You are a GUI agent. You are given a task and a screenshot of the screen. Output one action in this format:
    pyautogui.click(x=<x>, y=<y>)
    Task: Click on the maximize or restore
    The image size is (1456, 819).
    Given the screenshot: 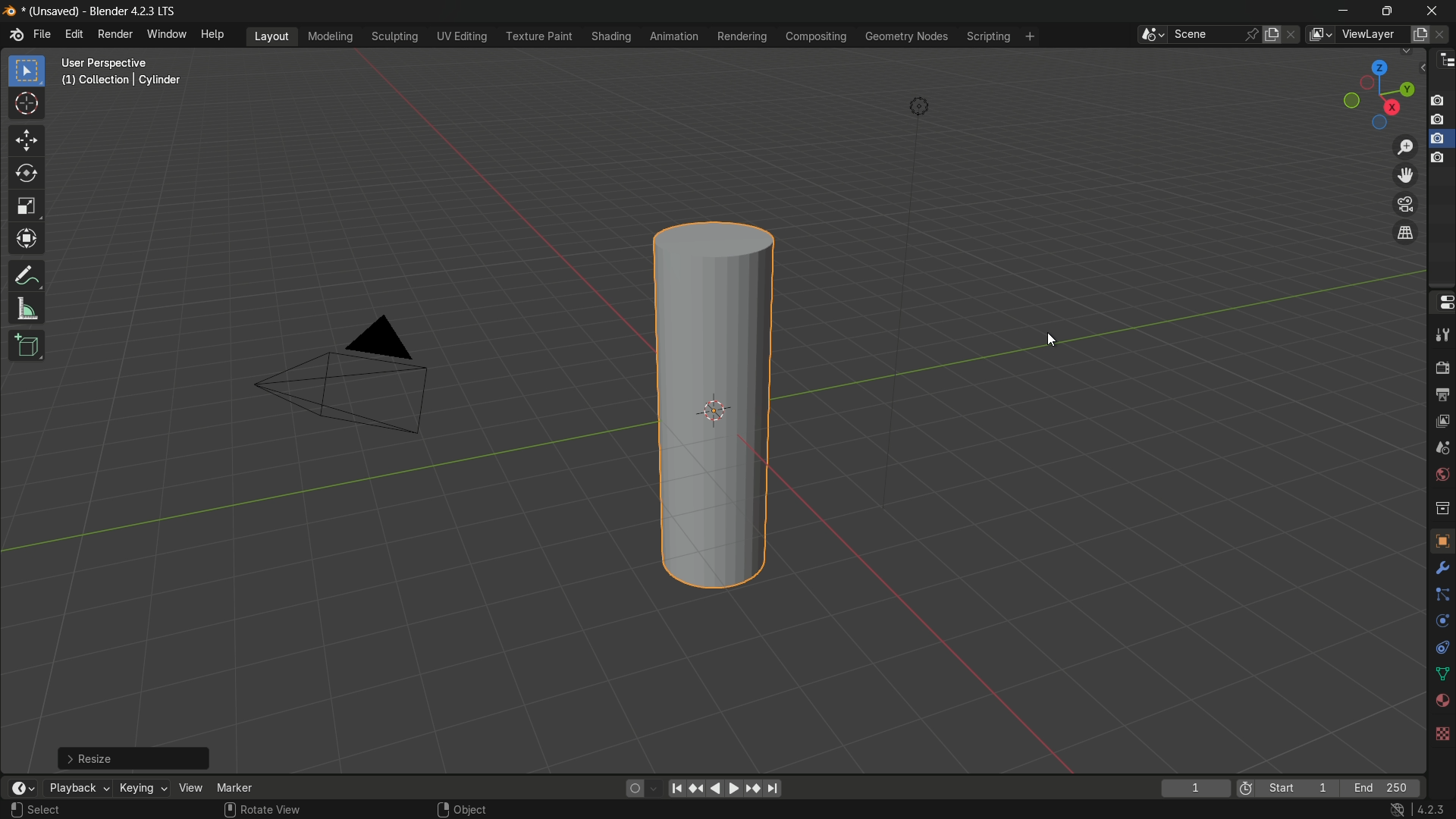 What is the action you would take?
    pyautogui.click(x=1389, y=10)
    